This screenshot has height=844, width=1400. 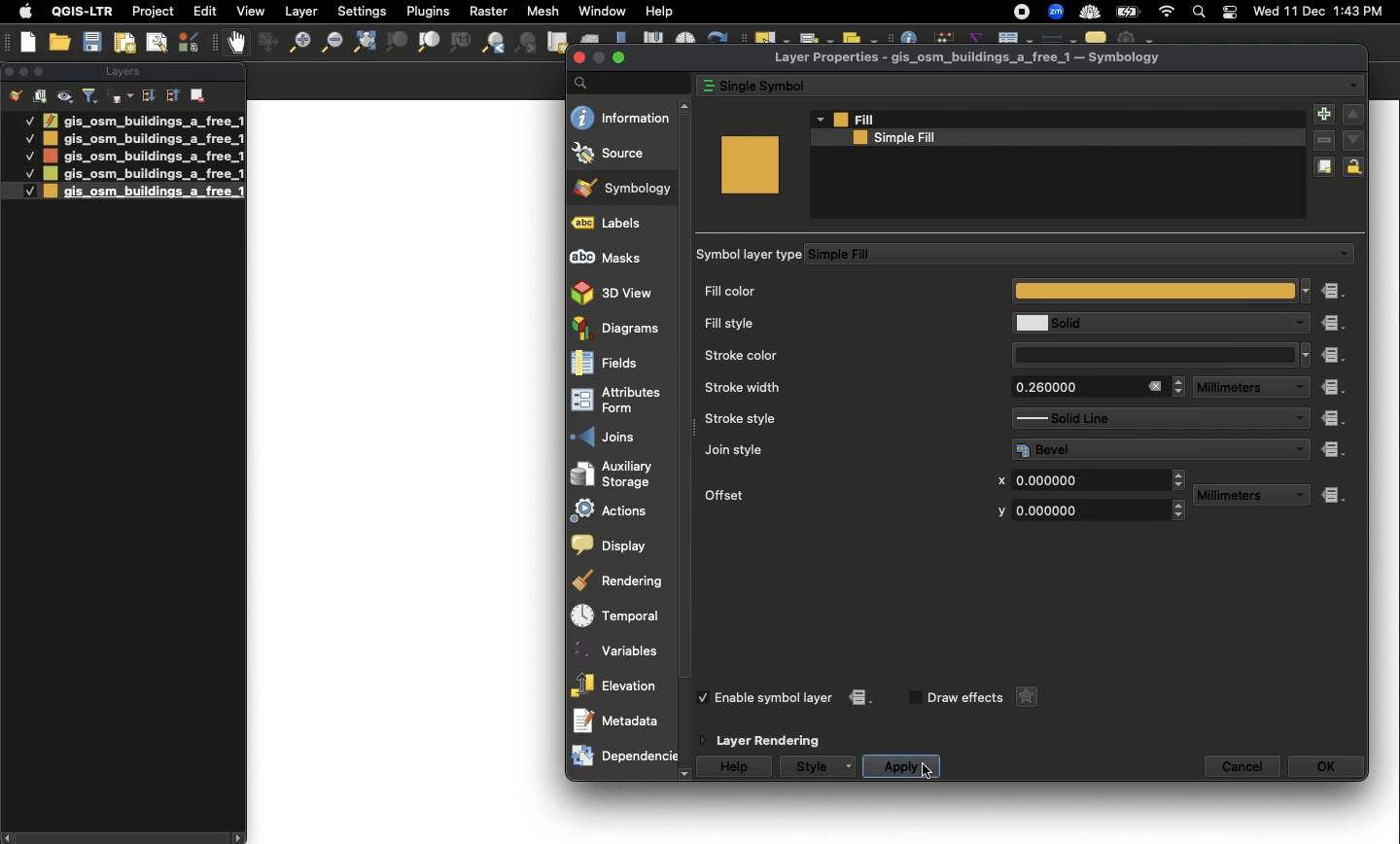 What do you see at coordinates (62, 43) in the screenshot?
I see `Open` at bounding box center [62, 43].